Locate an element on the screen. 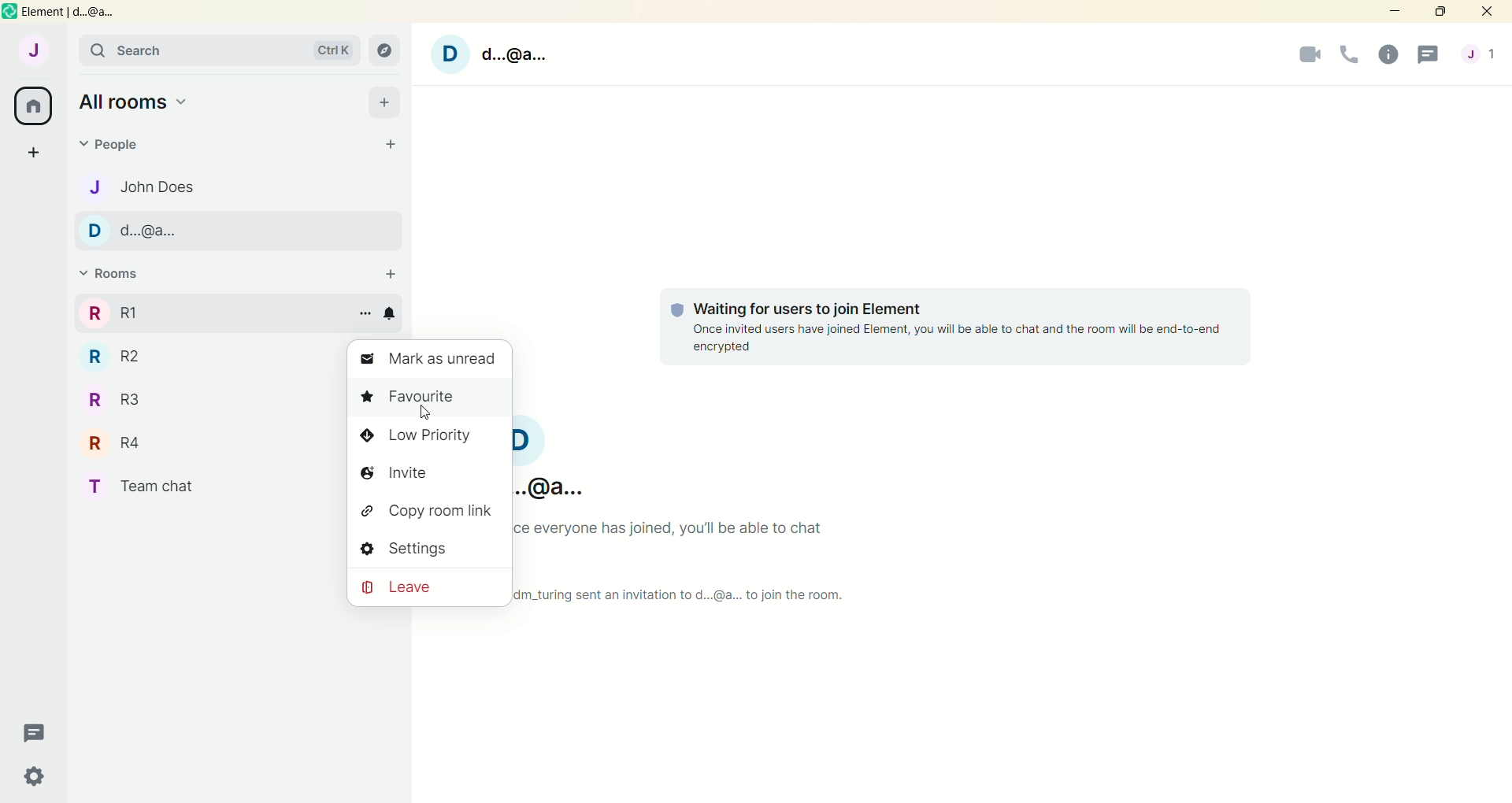  Ctrl K is located at coordinates (327, 50).